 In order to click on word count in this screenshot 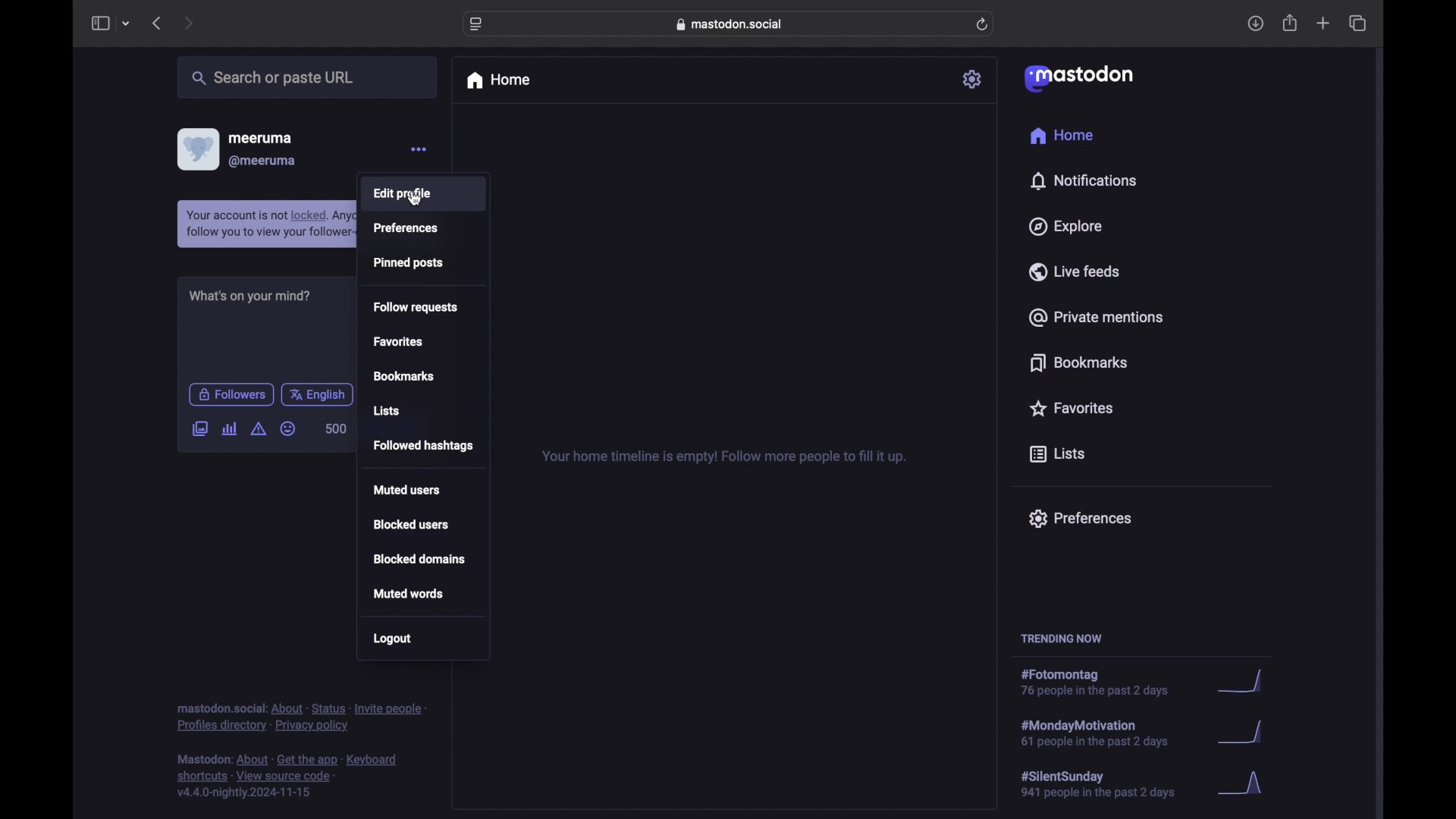, I will do `click(337, 428)`.